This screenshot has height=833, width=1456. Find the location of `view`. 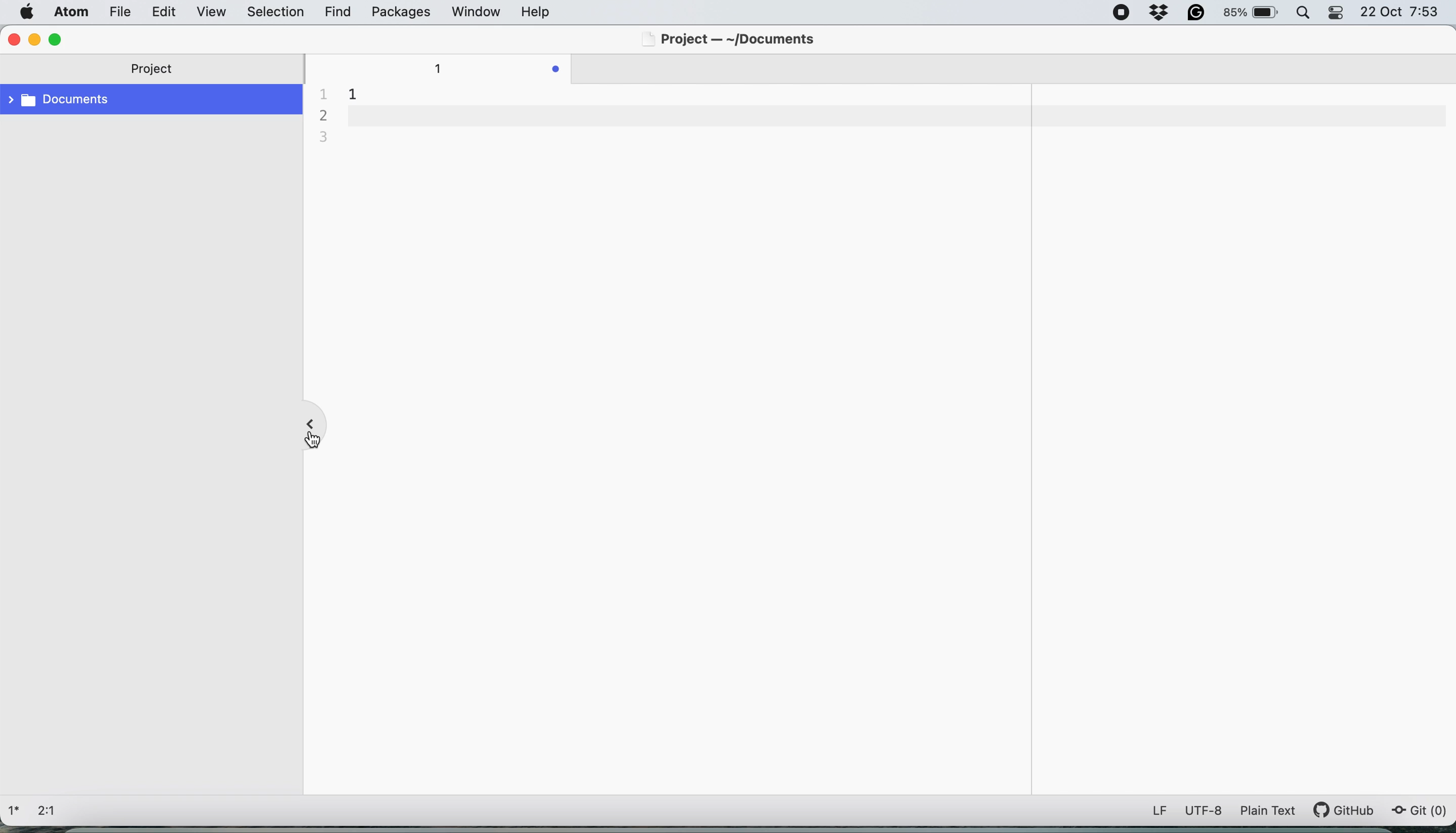

view is located at coordinates (213, 13).